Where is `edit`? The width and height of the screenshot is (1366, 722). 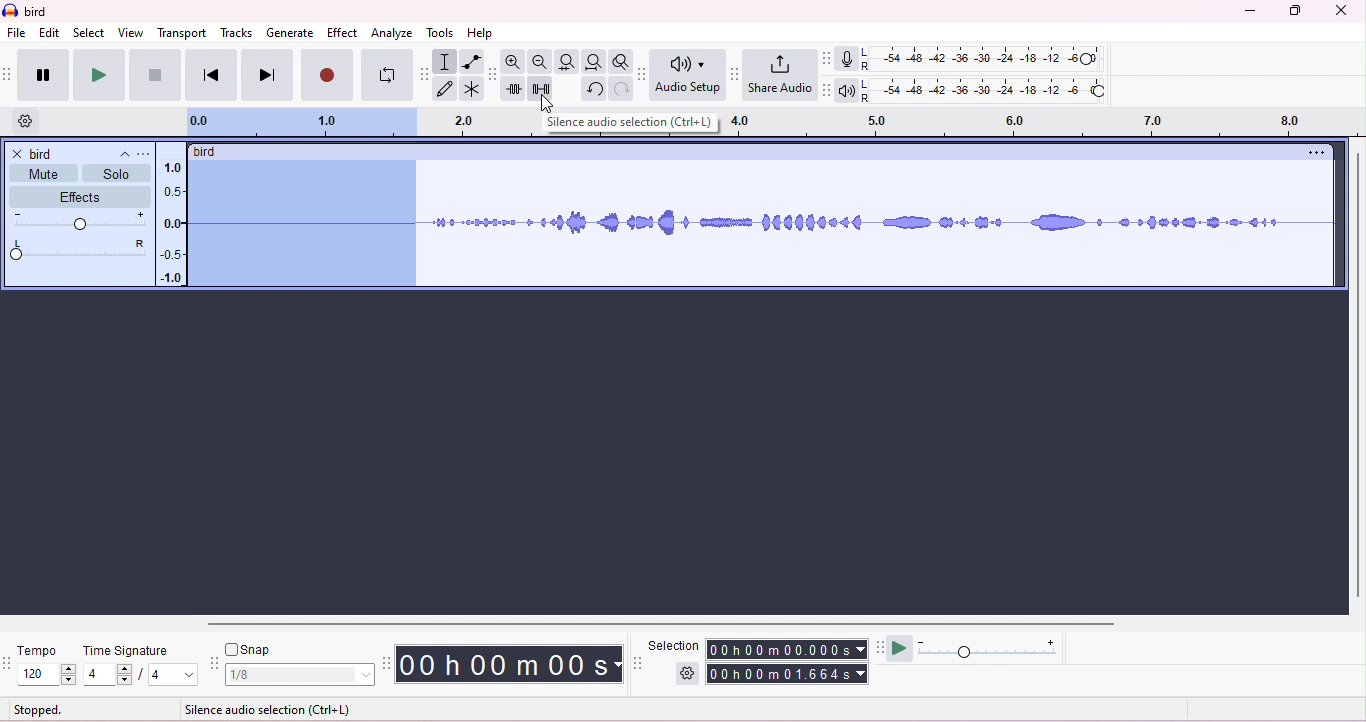
edit is located at coordinates (50, 33).